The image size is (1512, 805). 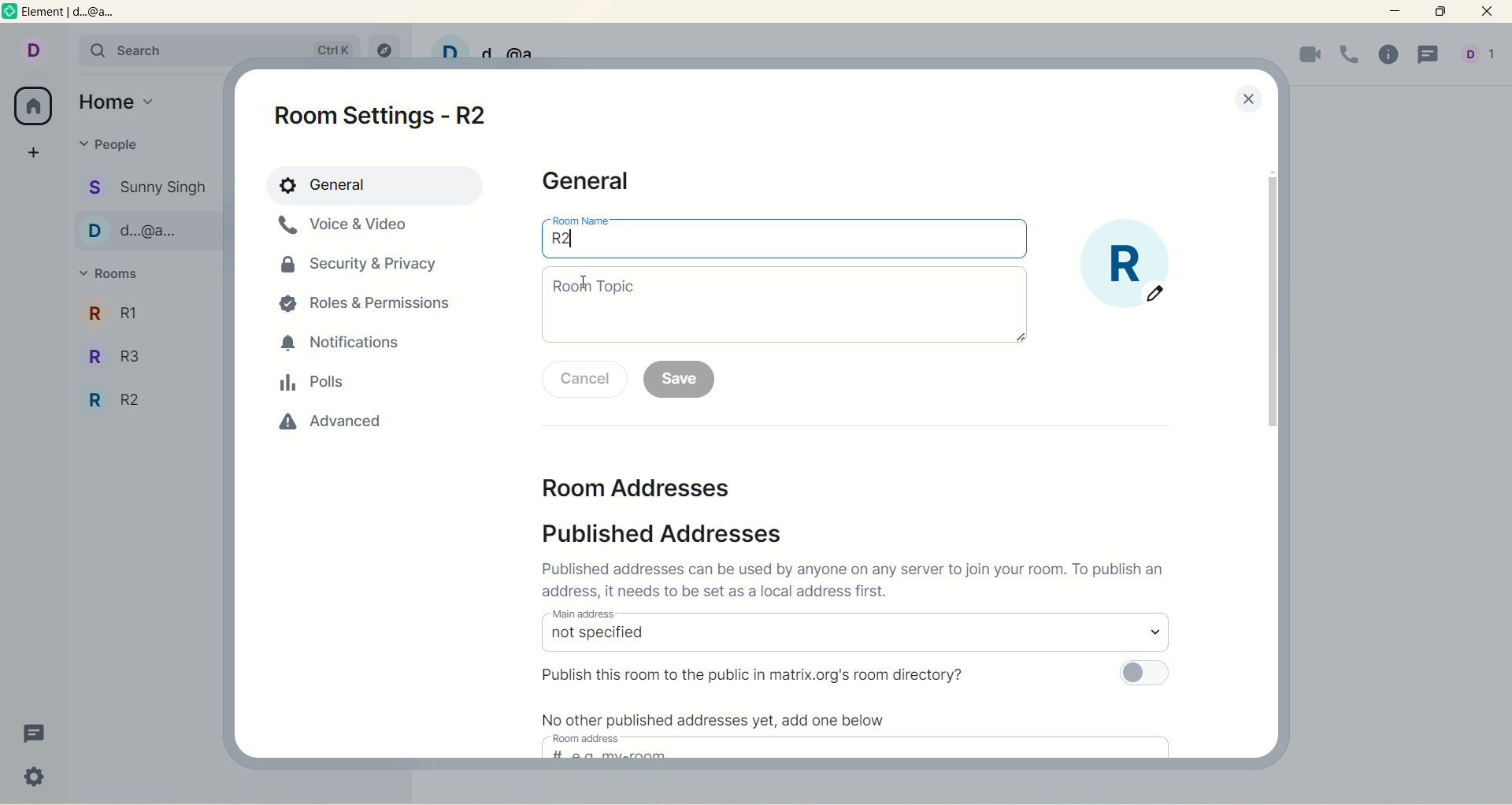 I want to click on d...@..., so click(x=146, y=230).